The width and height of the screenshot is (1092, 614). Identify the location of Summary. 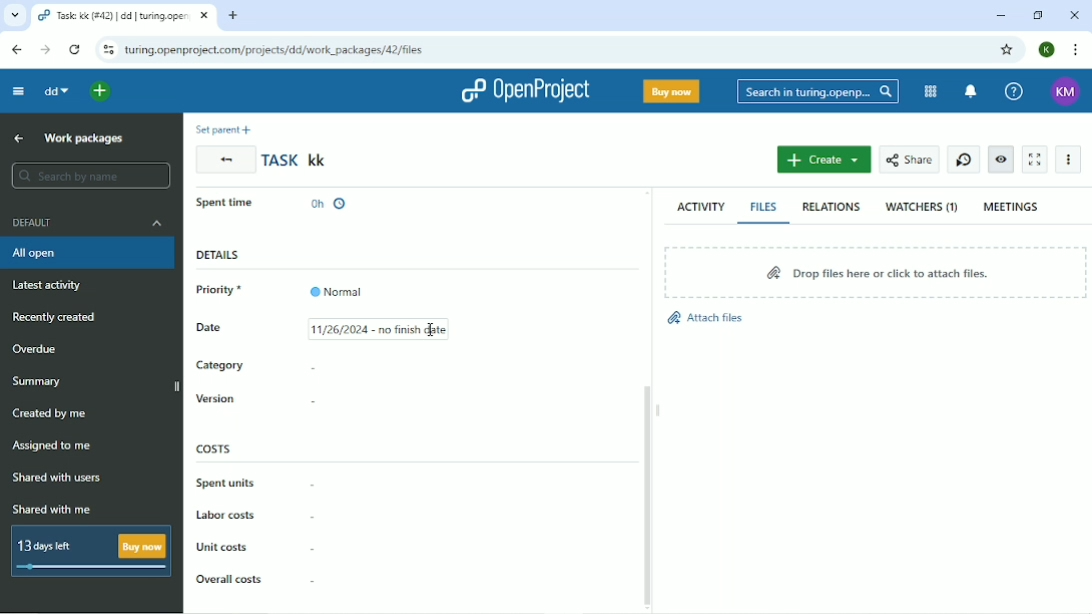
(36, 382).